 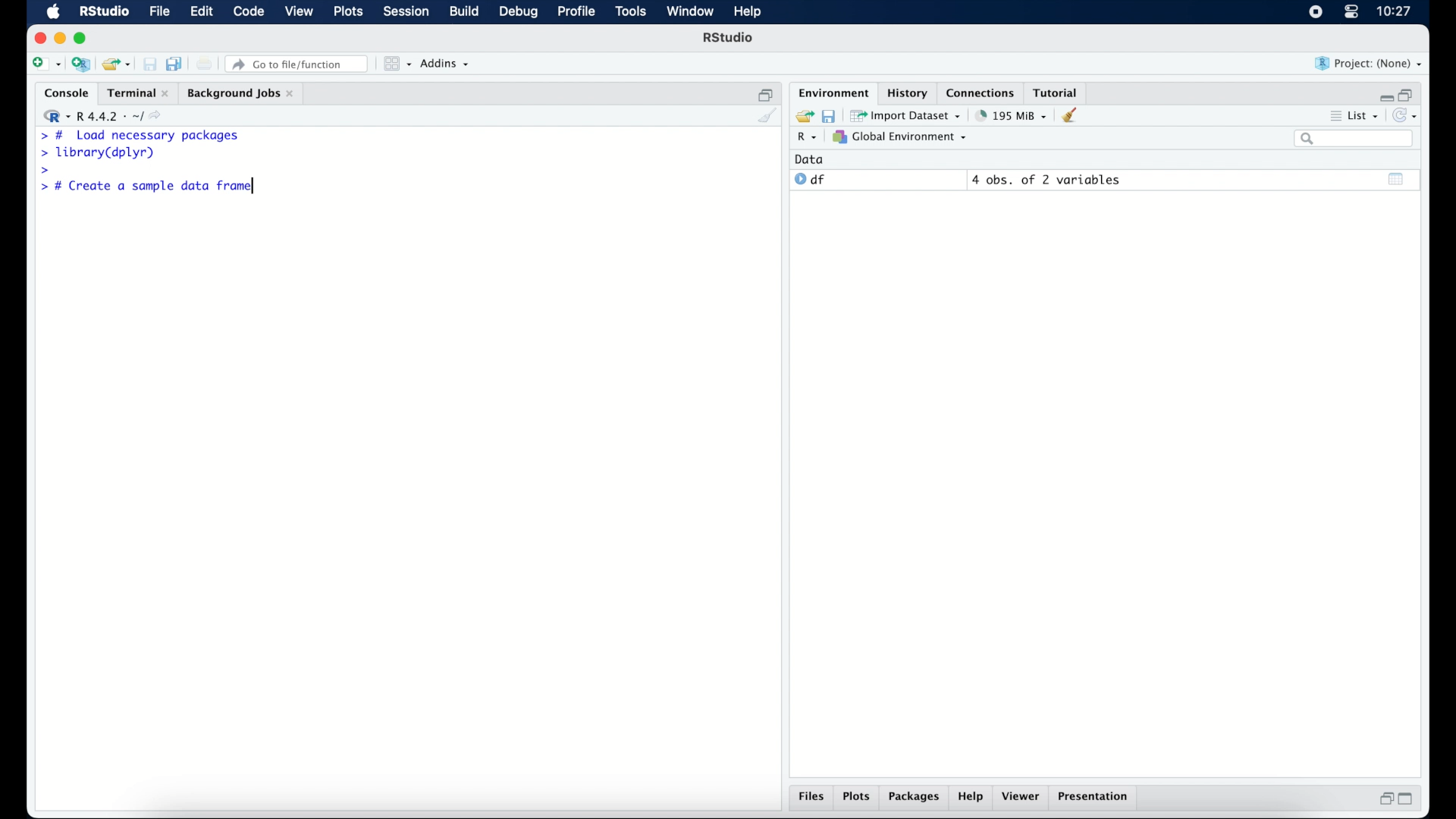 I want to click on workspace panes, so click(x=396, y=64).